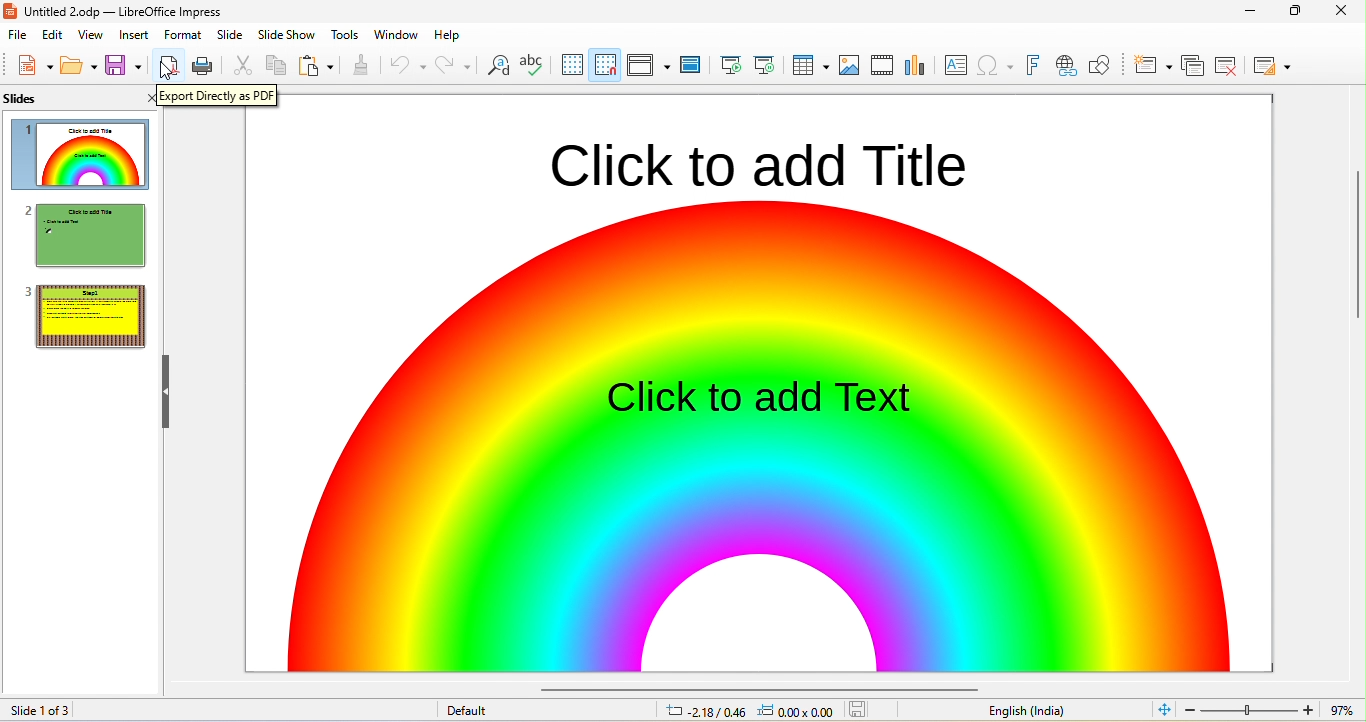 This screenshot has width=1366, height=722. What do you see at coordinates (343, 34) in the screenshot?
I see `tools` at bounding box center [343, 34].